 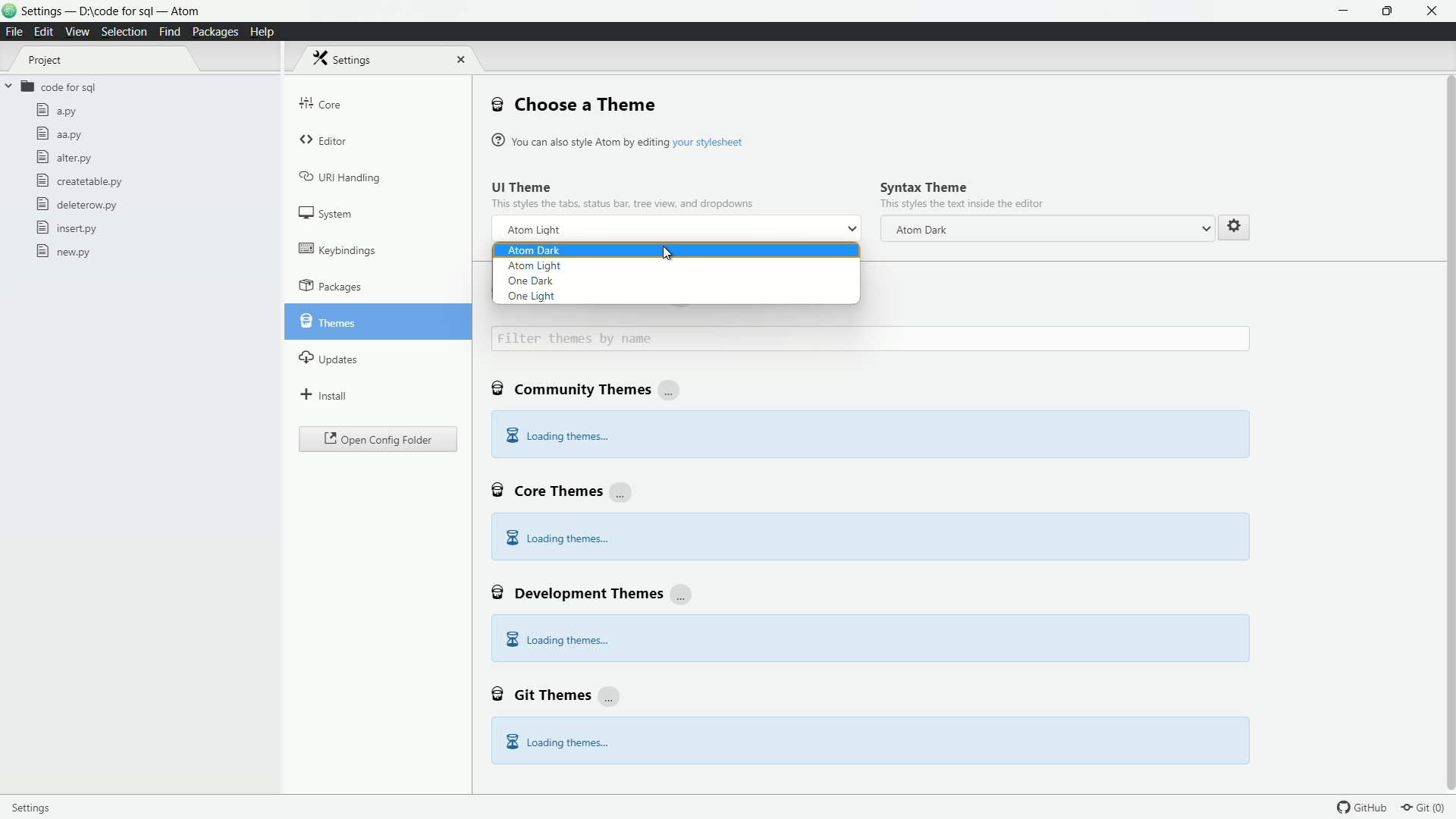 What do you see at coordinates (1389, 11) in the screenshot?
I see `maximize or restore` at bounding box center [1389, 11].